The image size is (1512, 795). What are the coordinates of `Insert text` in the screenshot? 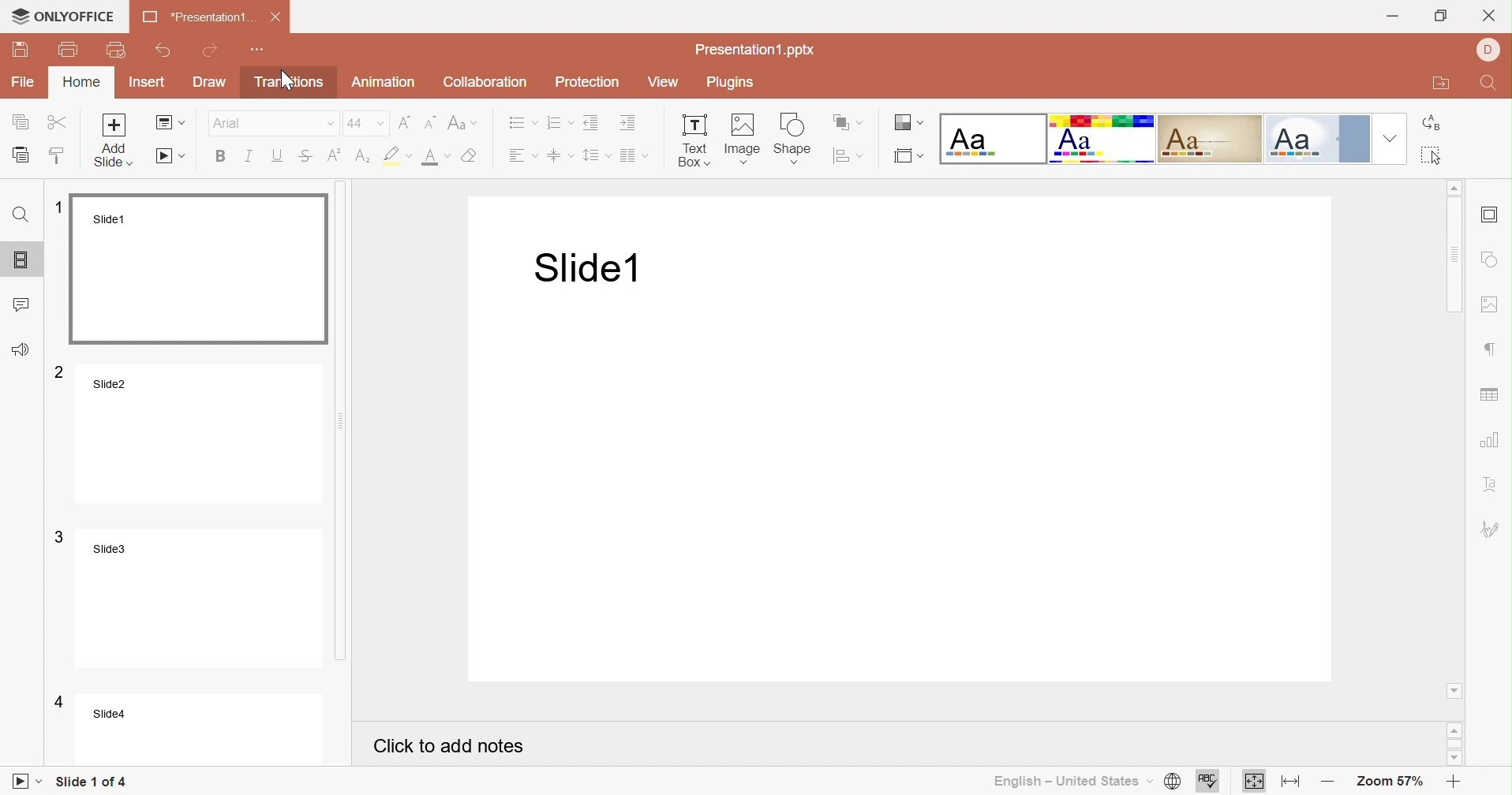 It's located at (694, 141).